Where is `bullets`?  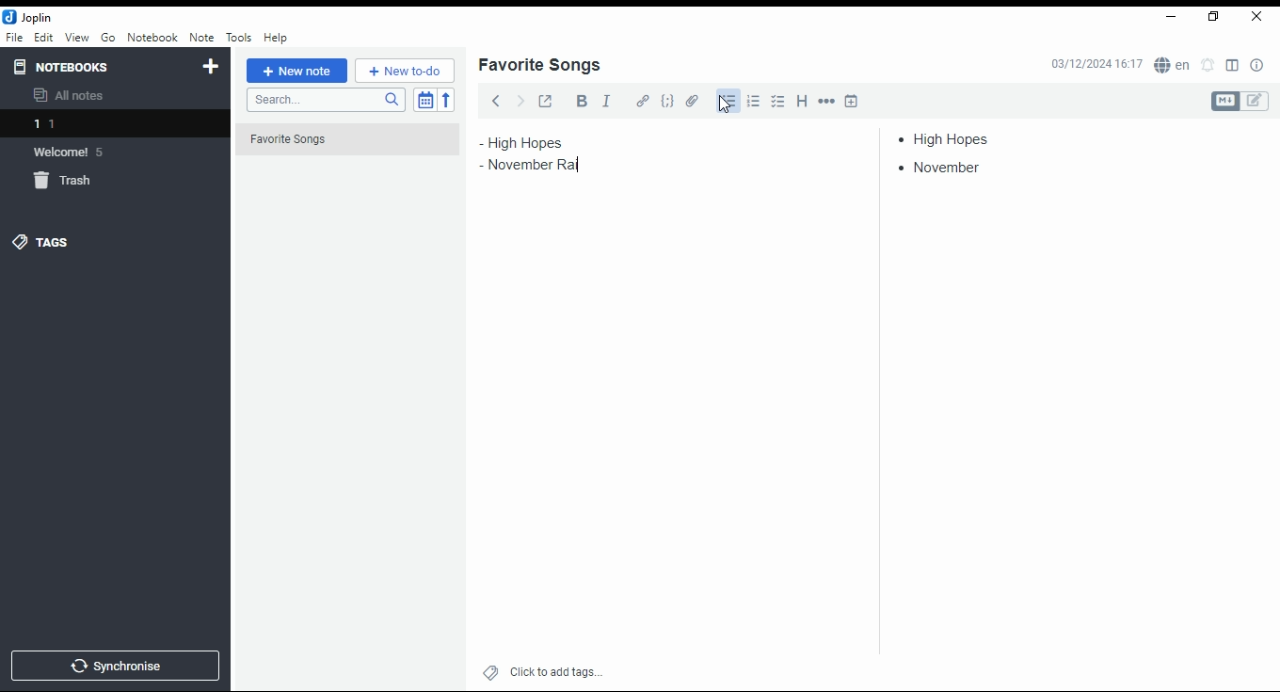
bullets is located at coordinates (728, 102).